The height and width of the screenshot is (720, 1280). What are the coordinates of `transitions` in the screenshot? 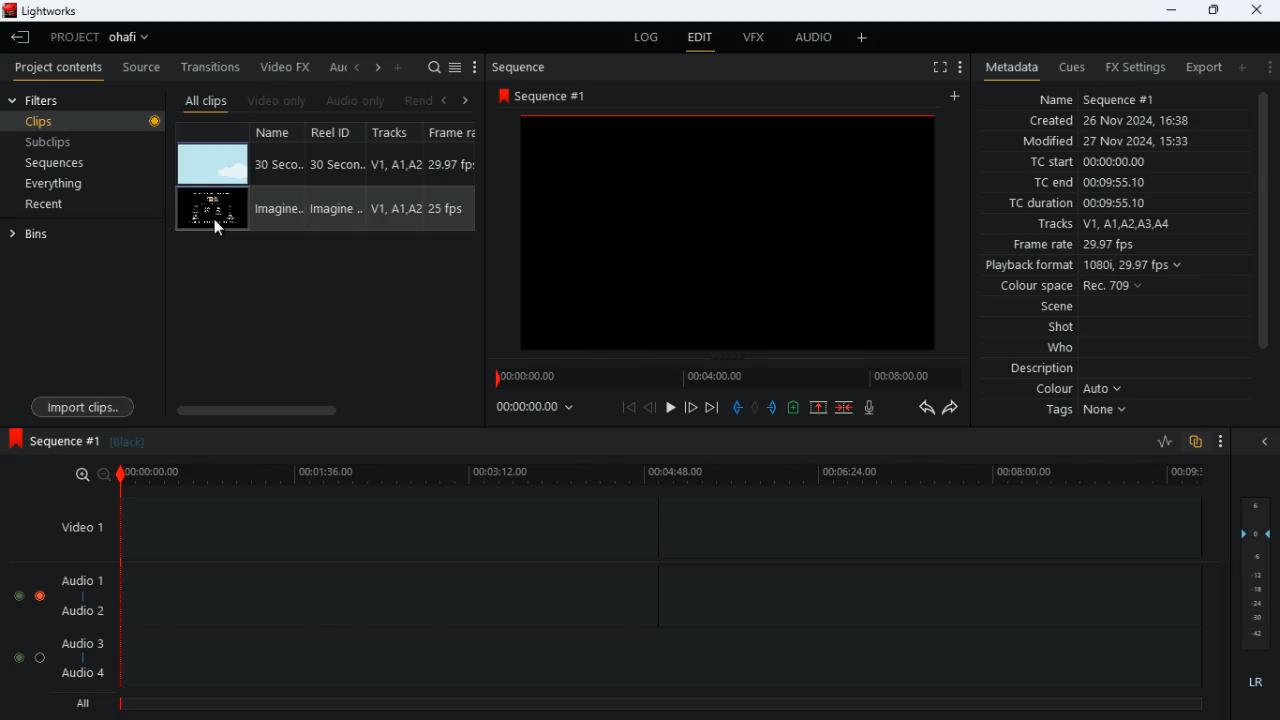 It's located at (213, 63).